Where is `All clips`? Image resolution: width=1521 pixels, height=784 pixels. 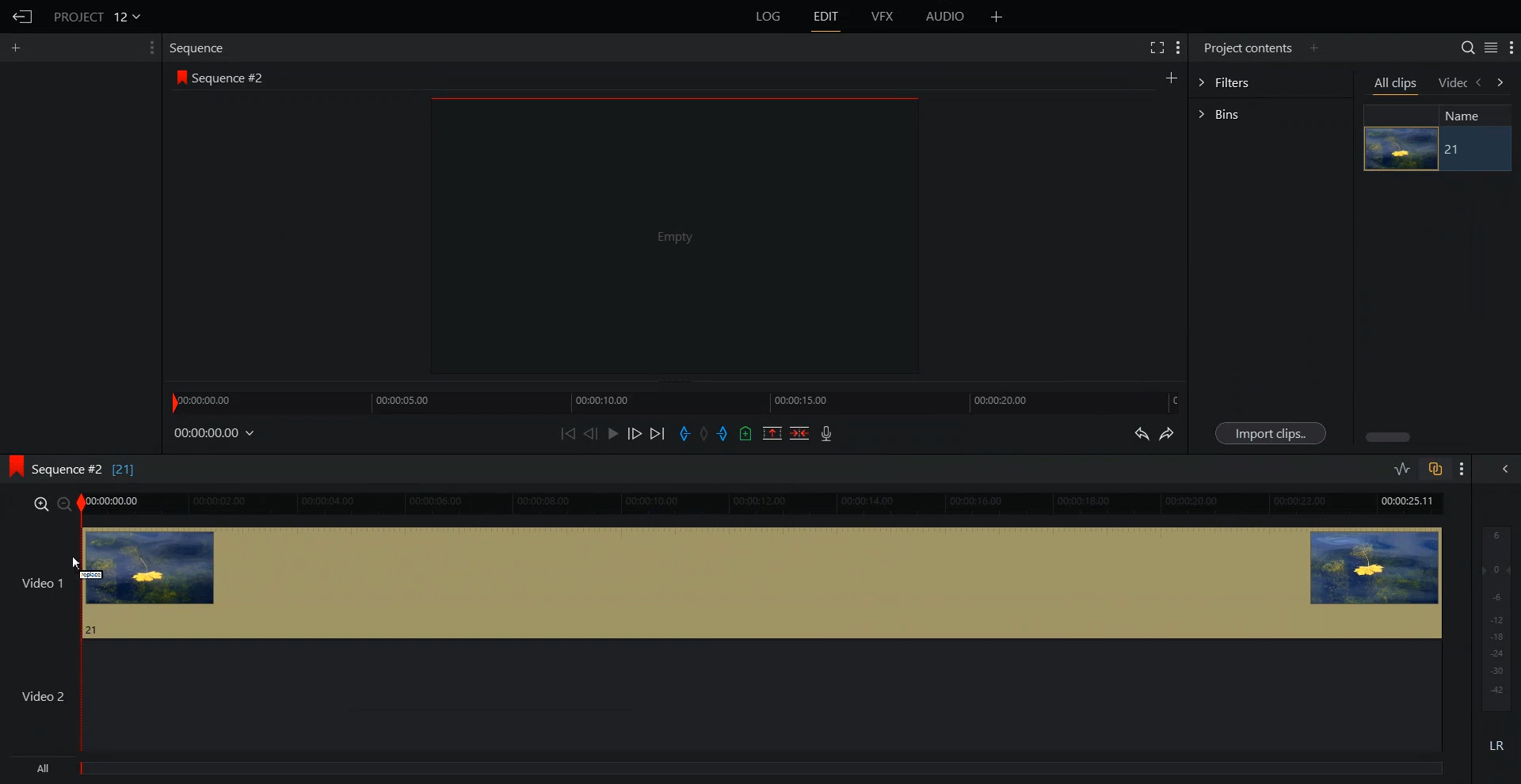
All clips is located at coordinates (1395, 84).